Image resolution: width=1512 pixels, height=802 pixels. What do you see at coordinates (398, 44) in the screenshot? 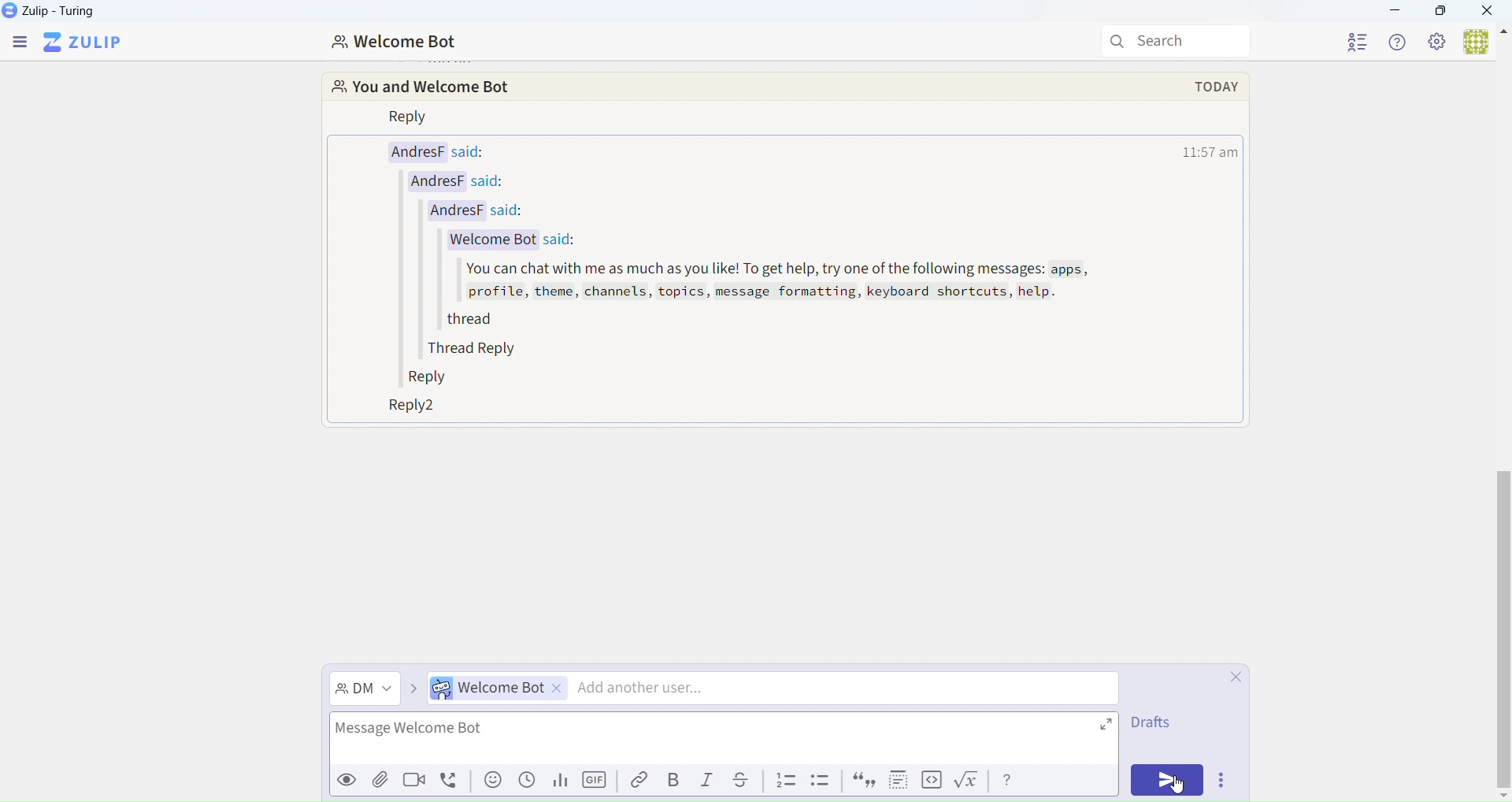
I see `Welcome Bot` at bounding box center [398, 44].